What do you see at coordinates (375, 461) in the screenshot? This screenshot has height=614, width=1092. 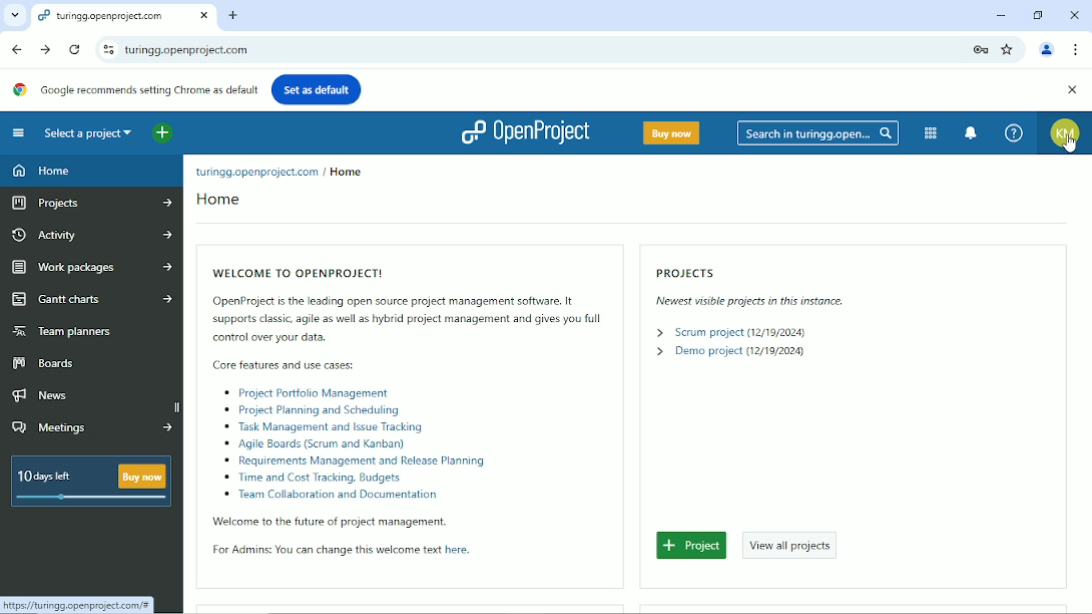 I see `Requirements Management and Release Planning` at bounding box center [375, 461].